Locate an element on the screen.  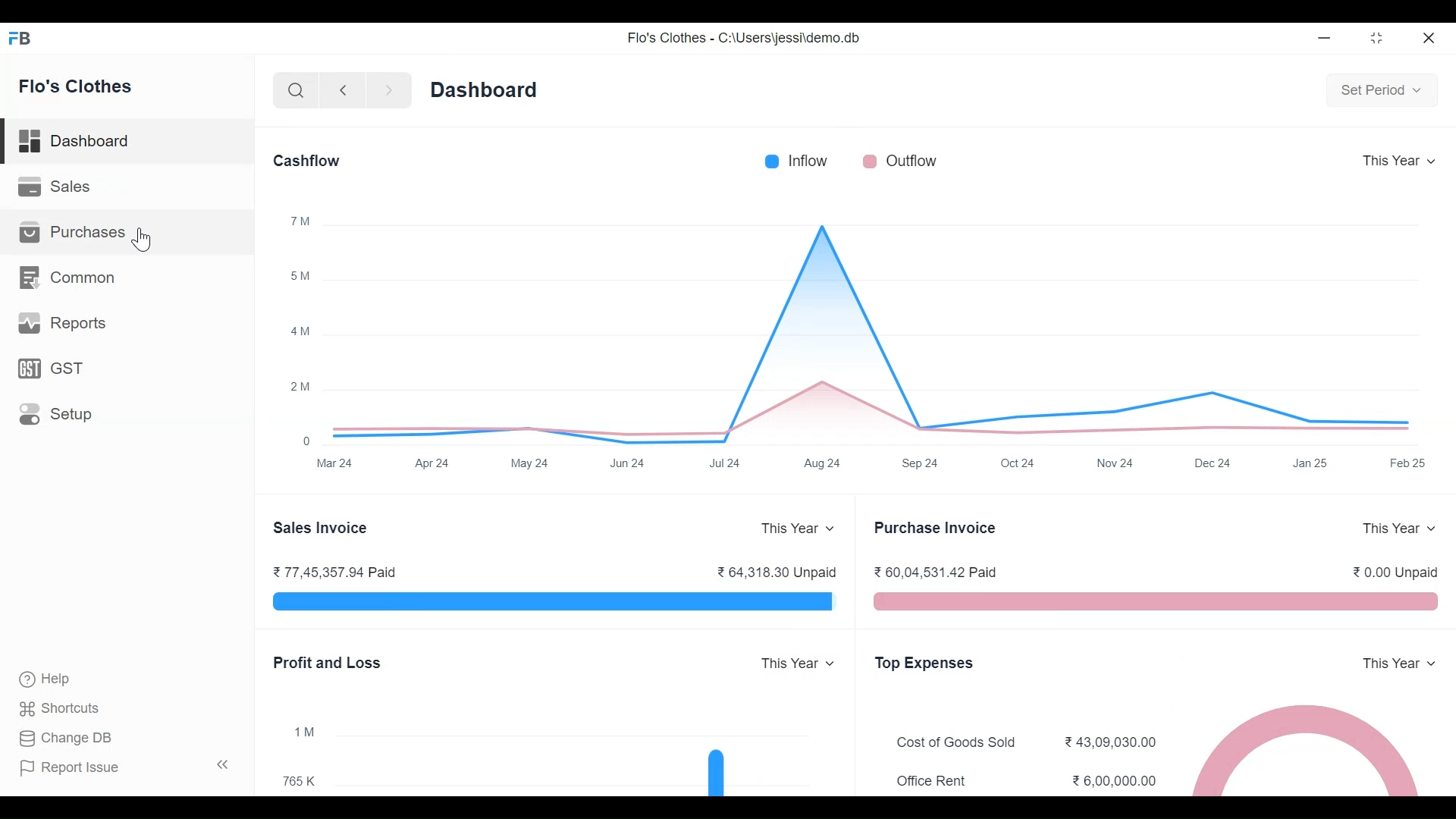
Dashboard is located at coordinates (487, 89).